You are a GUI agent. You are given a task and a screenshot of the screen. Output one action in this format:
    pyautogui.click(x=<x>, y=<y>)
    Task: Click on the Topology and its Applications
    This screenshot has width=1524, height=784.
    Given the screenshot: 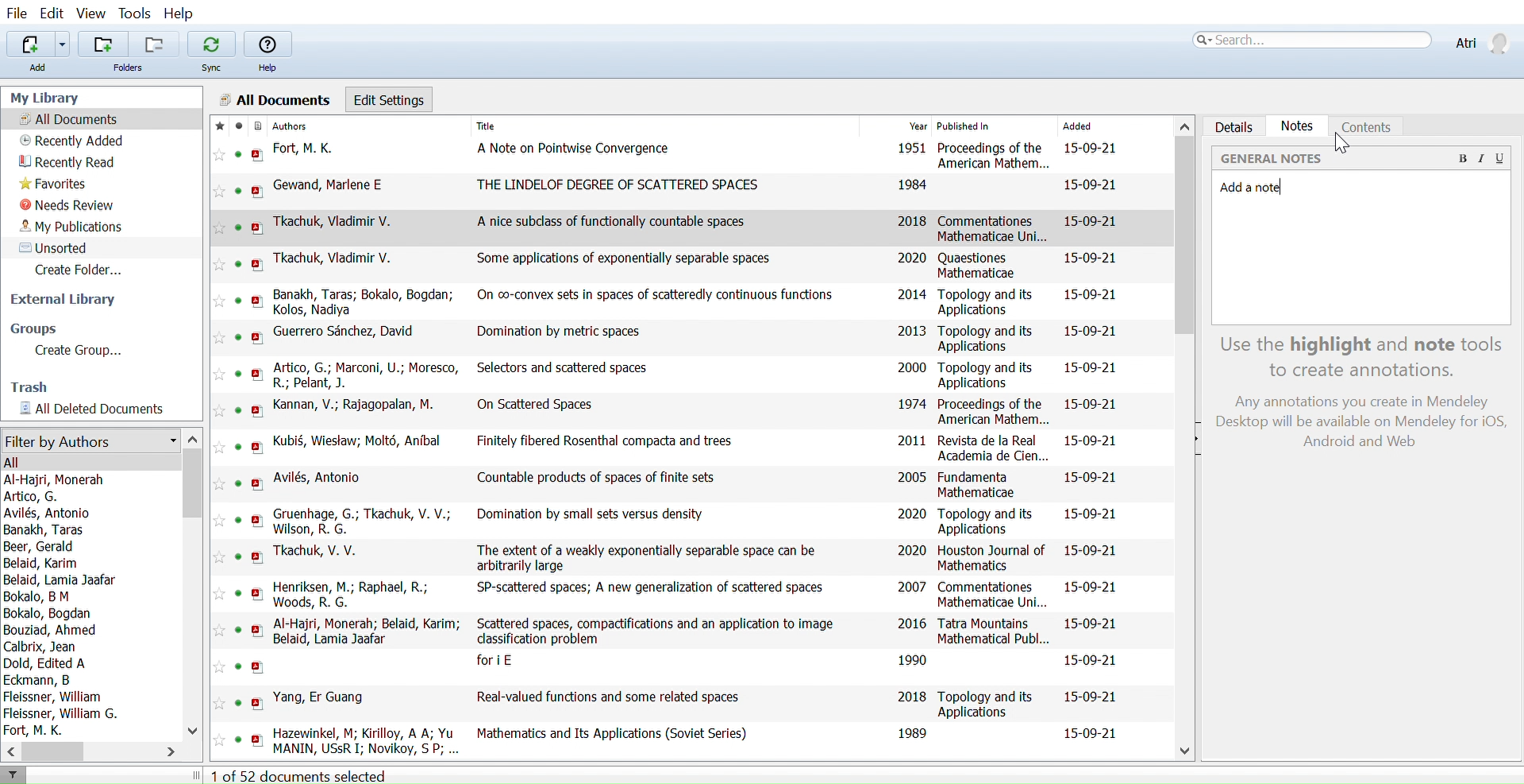 What is the action you would take?
    pyautogui.click(x=987, y=375)
    